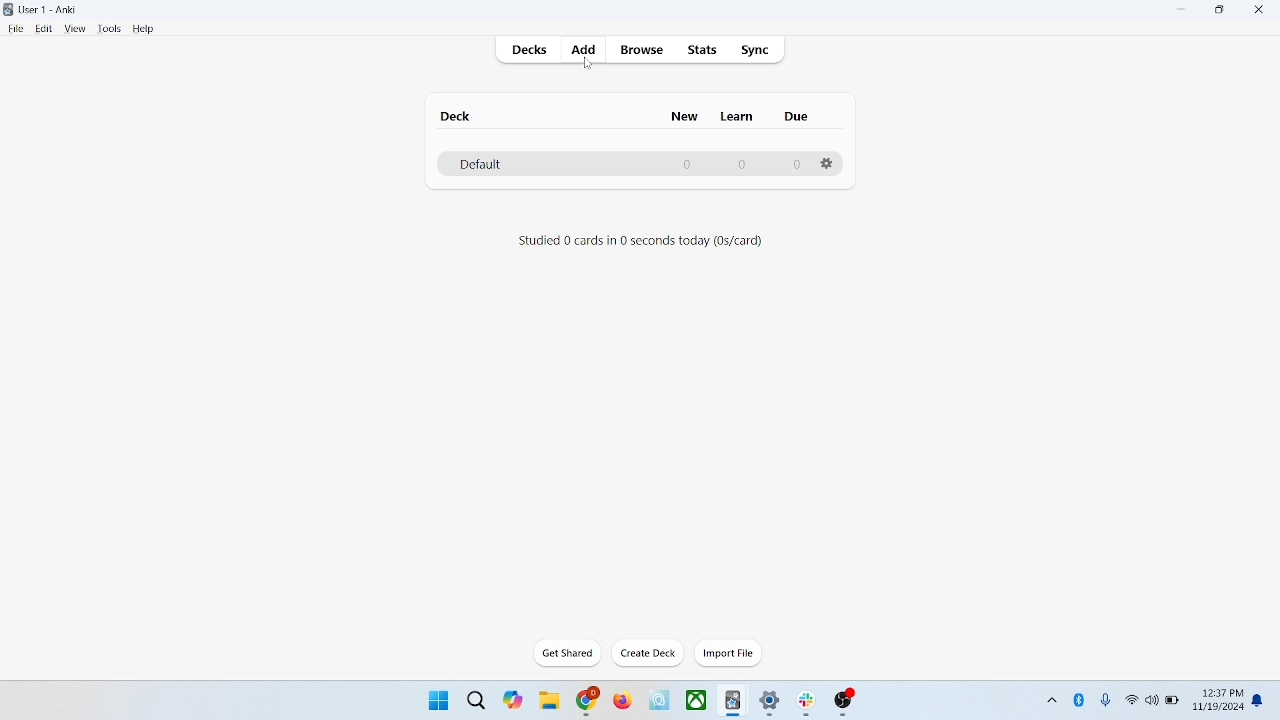 This screenshot has width=1280, height=720. Describe the element at coordinates (740, 164) in the screenshot. I see `0` at that location.